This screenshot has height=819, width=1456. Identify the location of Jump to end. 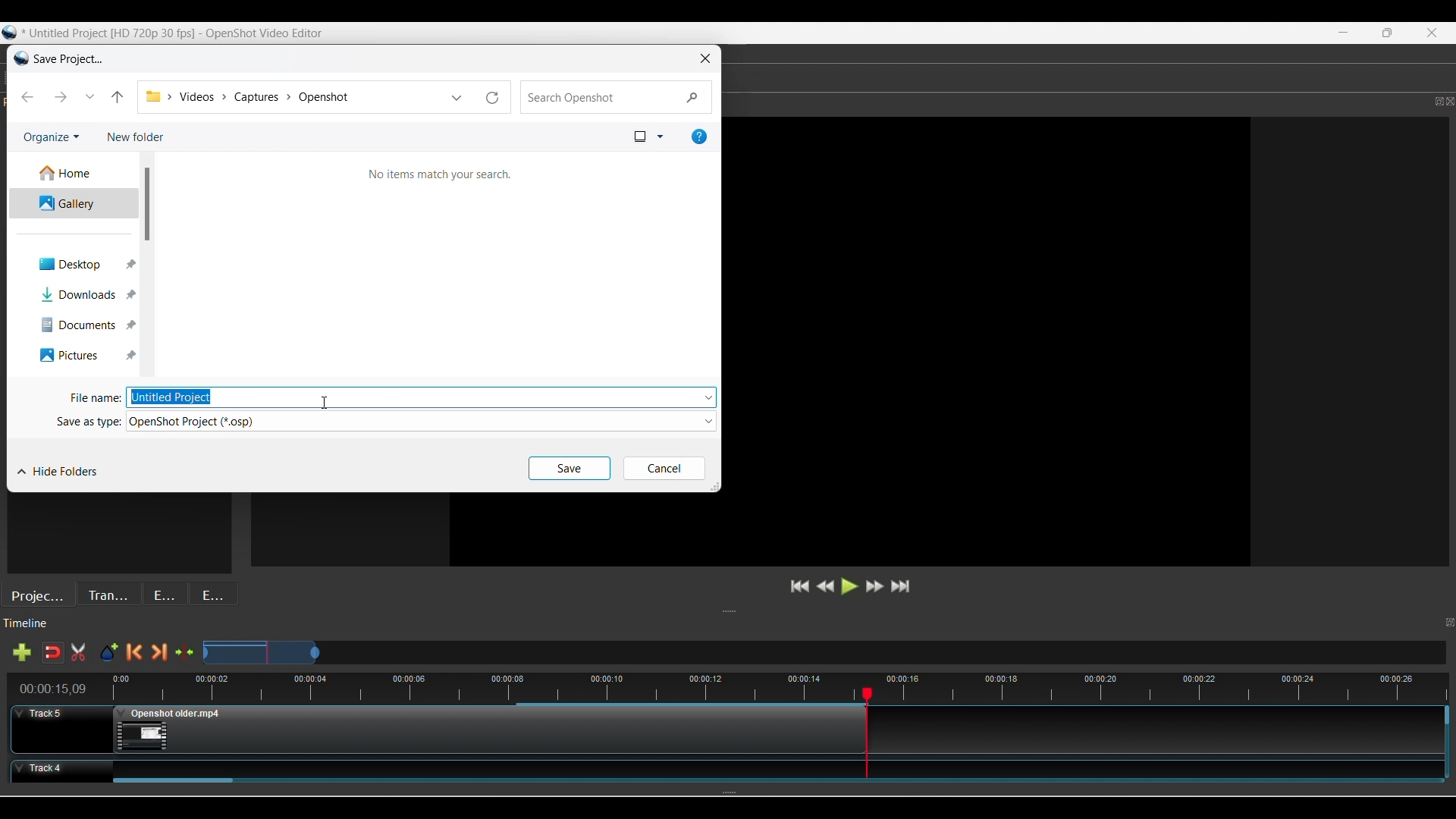
(900, 586).